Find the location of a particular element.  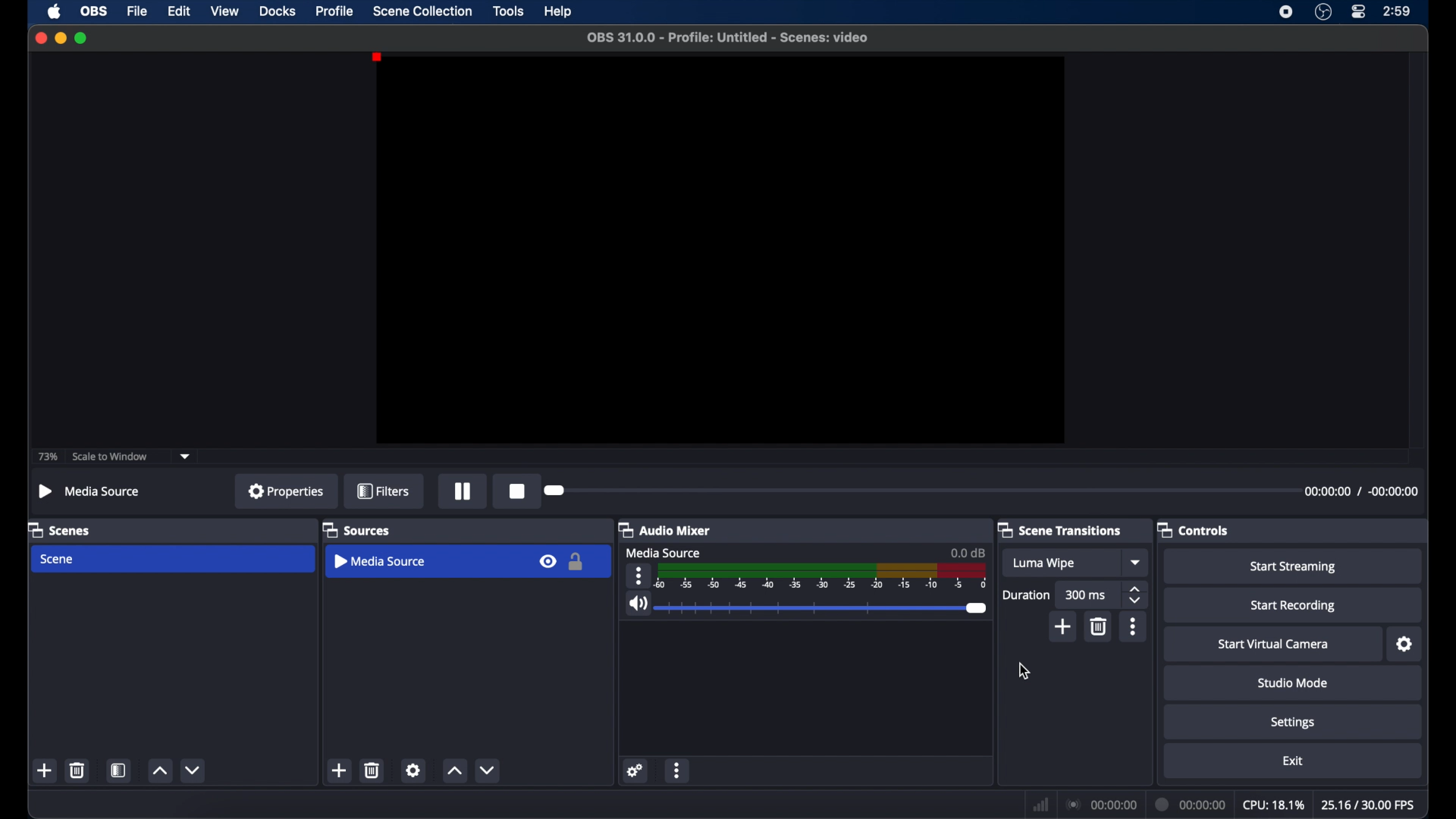

stepper buttons is located at coordinates (1136, 595).